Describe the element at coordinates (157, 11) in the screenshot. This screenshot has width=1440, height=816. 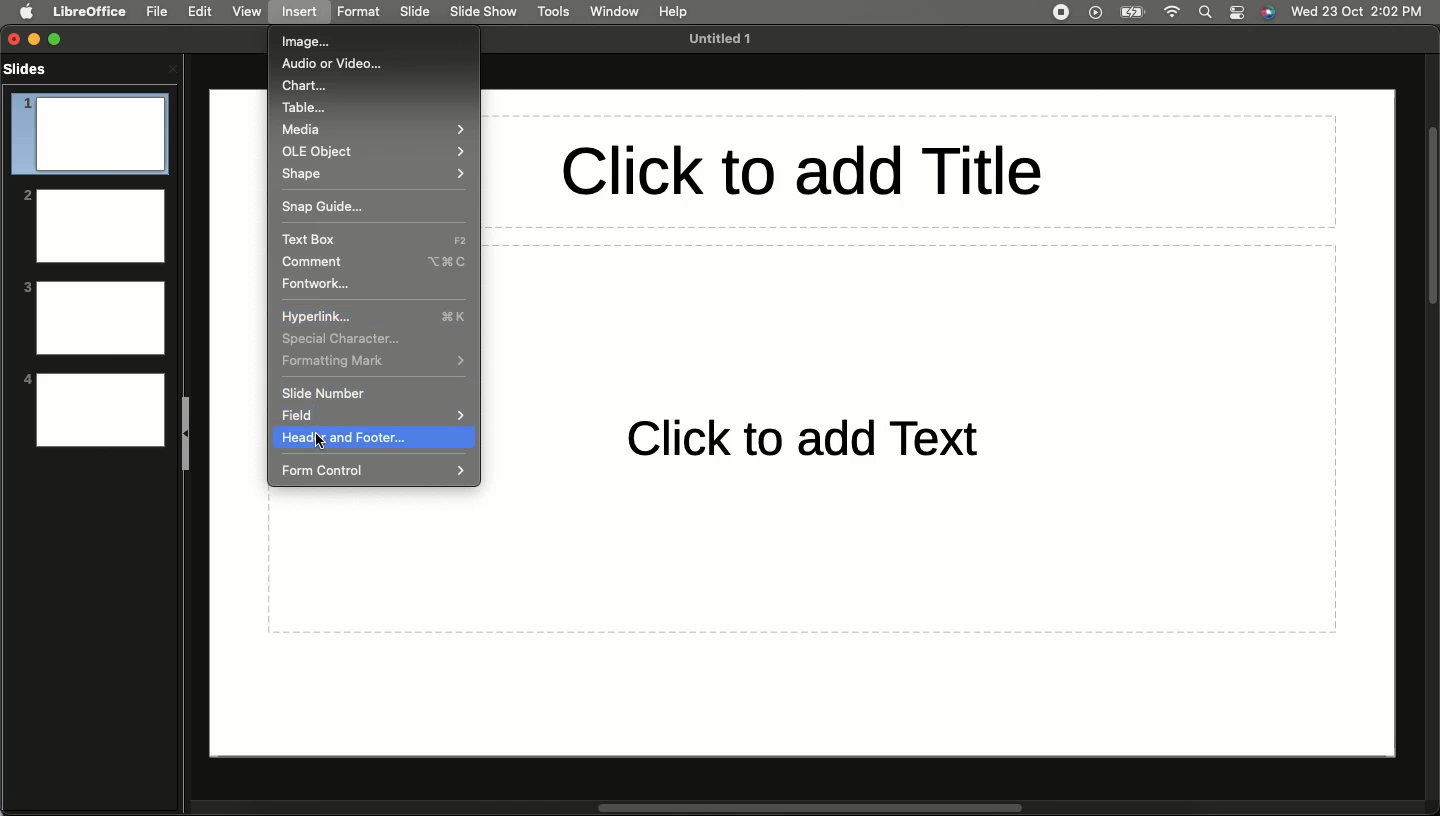
I see `File` at that location.